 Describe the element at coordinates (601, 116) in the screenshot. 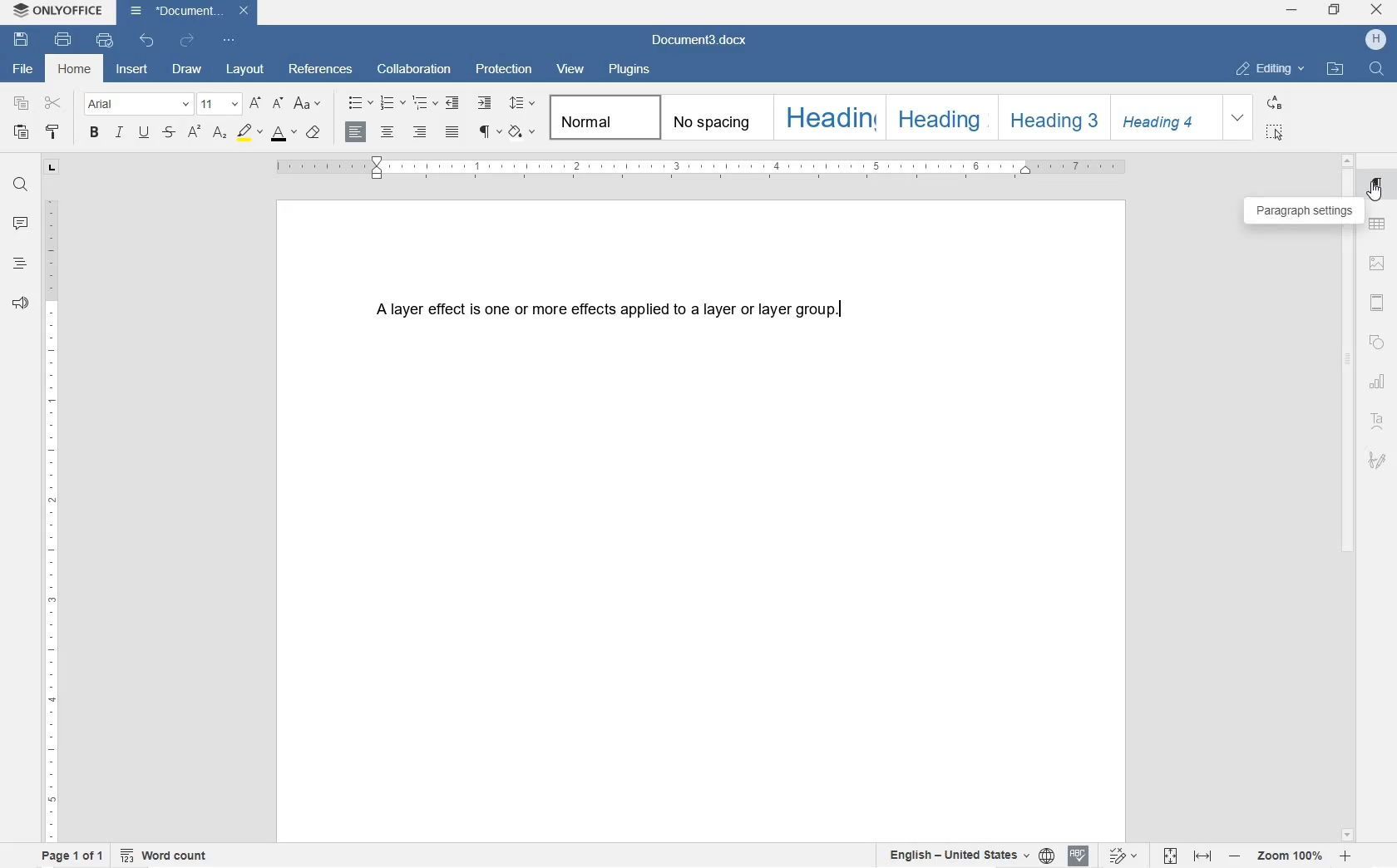

I see `NORMAL` at that location.